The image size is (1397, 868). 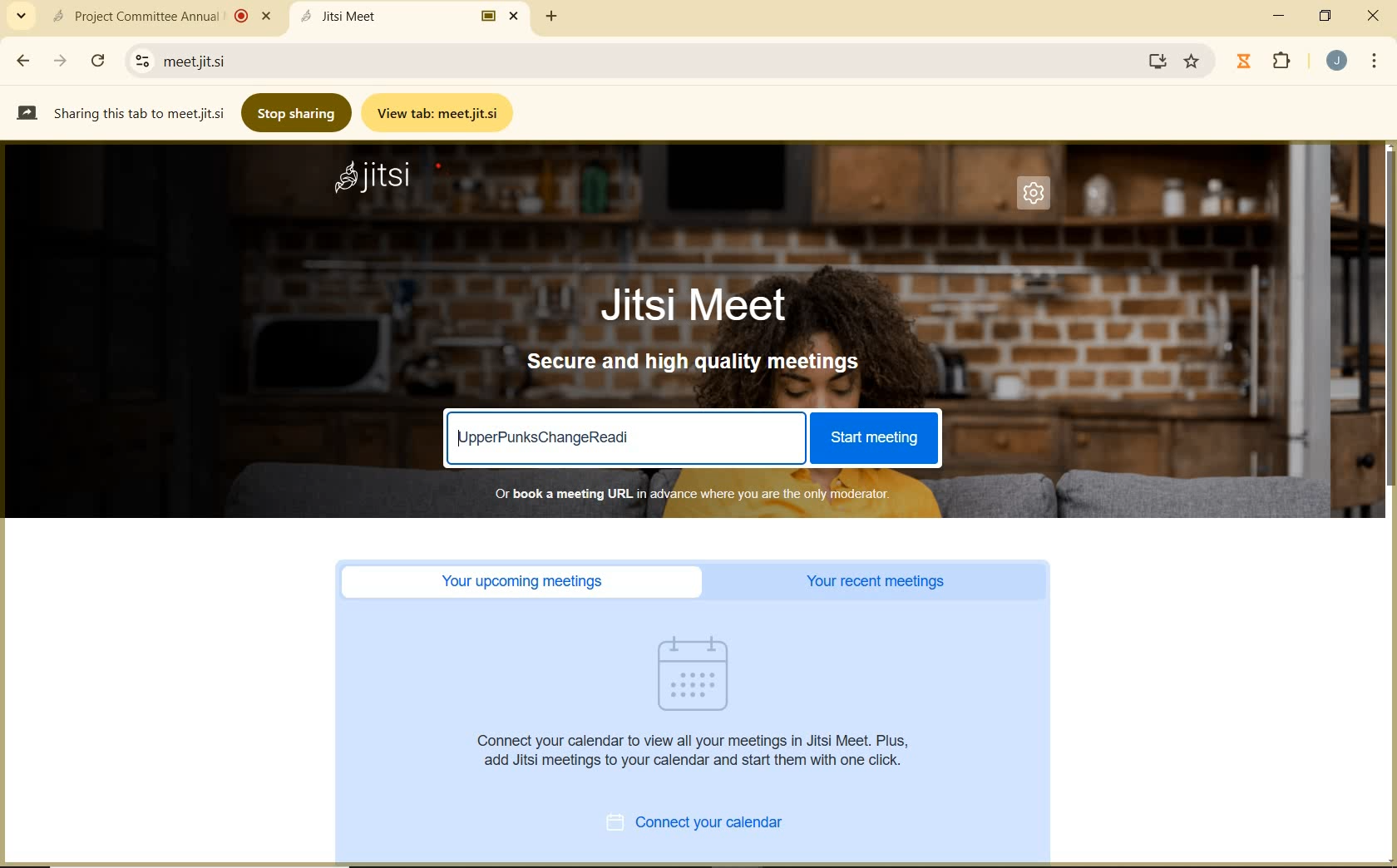 I want to click on FORWARD, so click(x=62, y=61).